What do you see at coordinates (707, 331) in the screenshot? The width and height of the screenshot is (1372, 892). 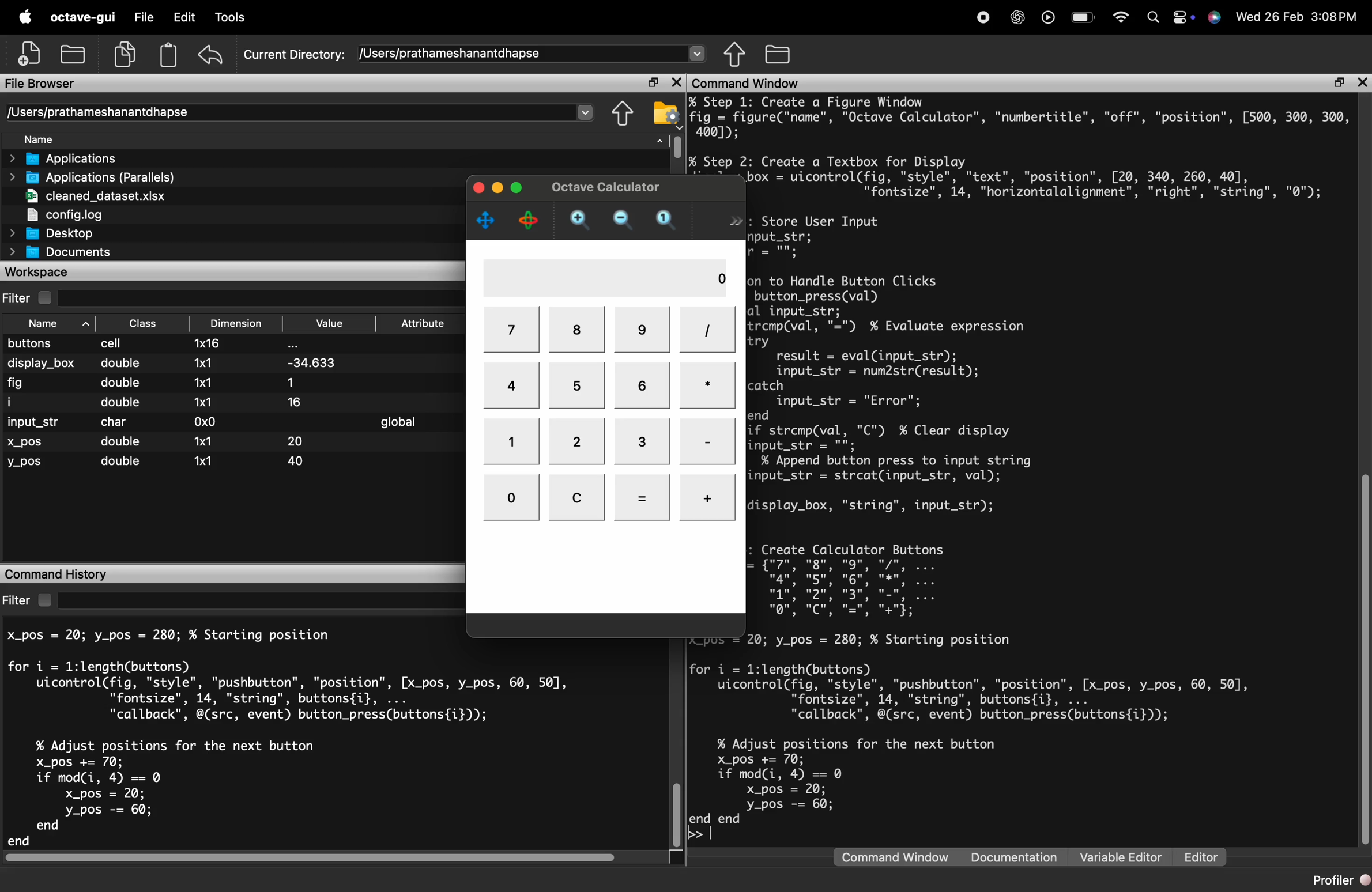 I see `/` at bounding box center [707, 331].